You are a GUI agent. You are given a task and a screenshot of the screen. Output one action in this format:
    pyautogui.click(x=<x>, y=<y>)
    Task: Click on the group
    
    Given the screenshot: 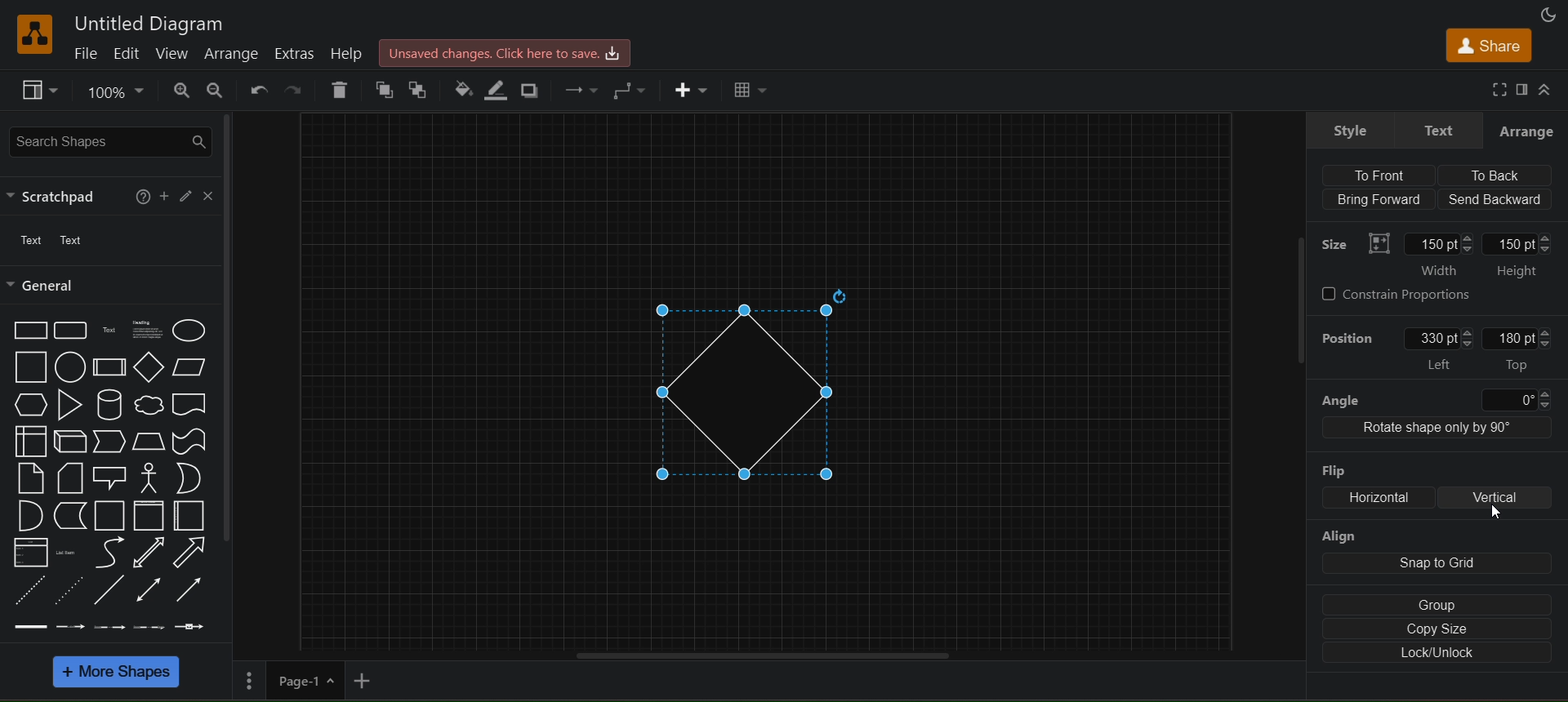 What is the action you would take?
    pyautogui.click(x=1437, y=606)
    